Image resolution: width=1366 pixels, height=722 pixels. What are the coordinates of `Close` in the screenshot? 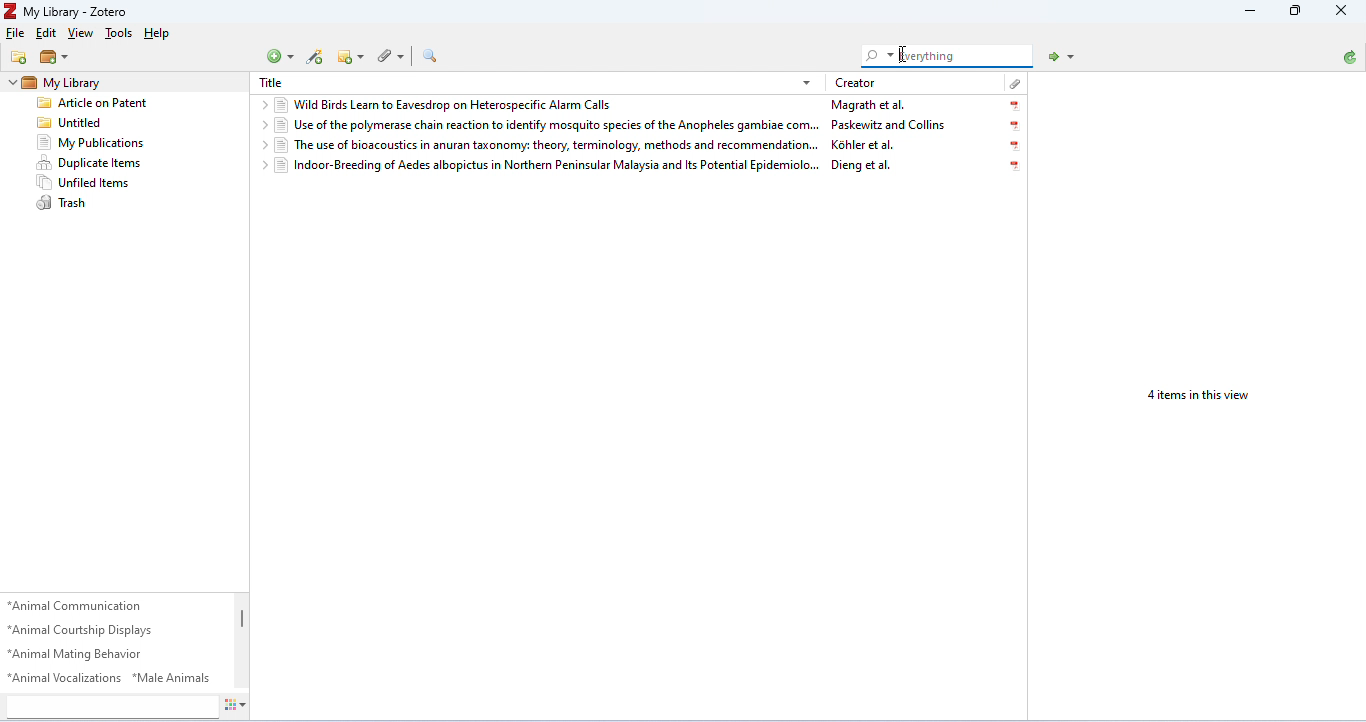 It's located at (1344, 10).